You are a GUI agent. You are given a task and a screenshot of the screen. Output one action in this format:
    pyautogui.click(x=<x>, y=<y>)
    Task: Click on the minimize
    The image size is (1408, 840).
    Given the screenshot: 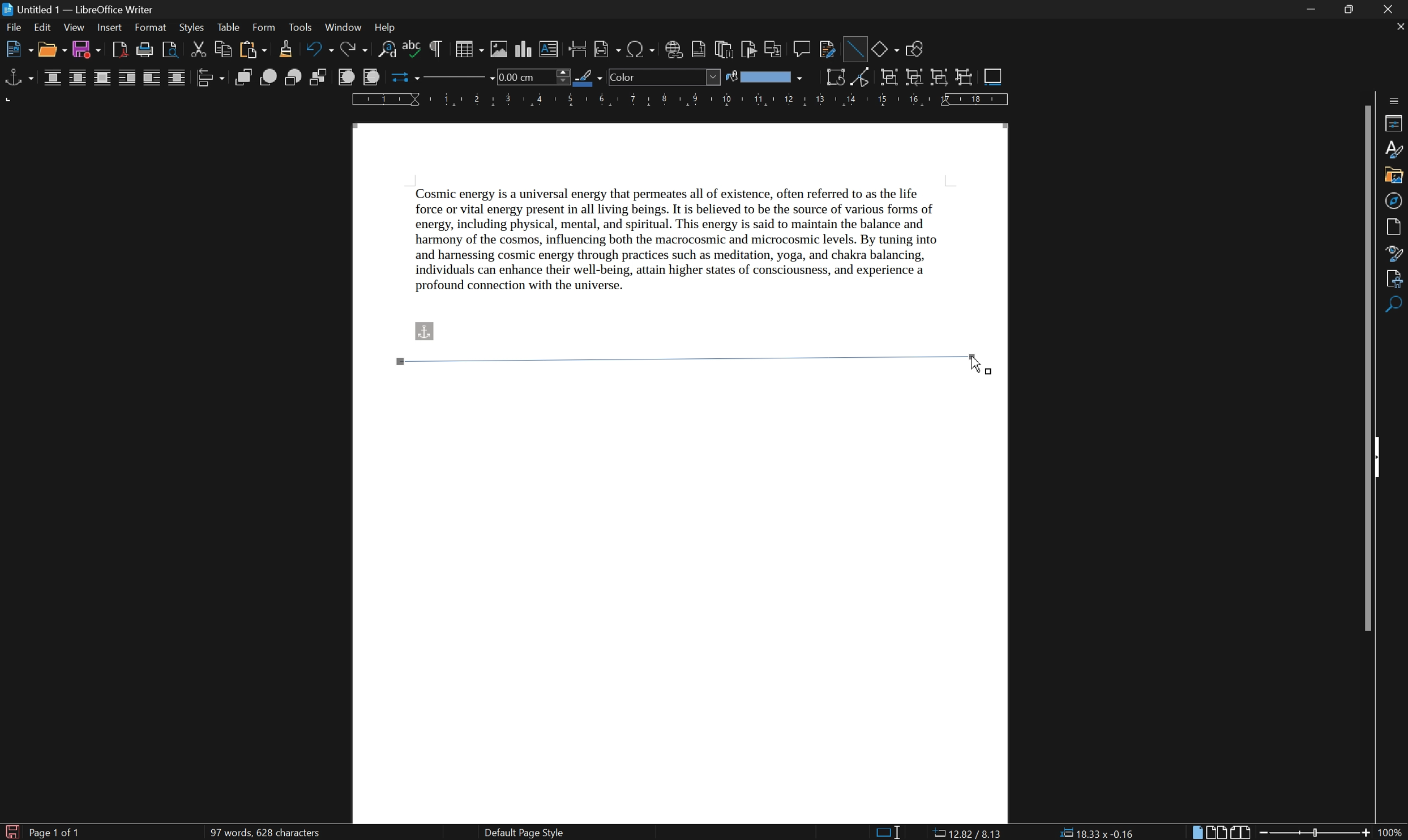 What is the action you would take?
    pyautogui.click(x=1313, y=10)
    